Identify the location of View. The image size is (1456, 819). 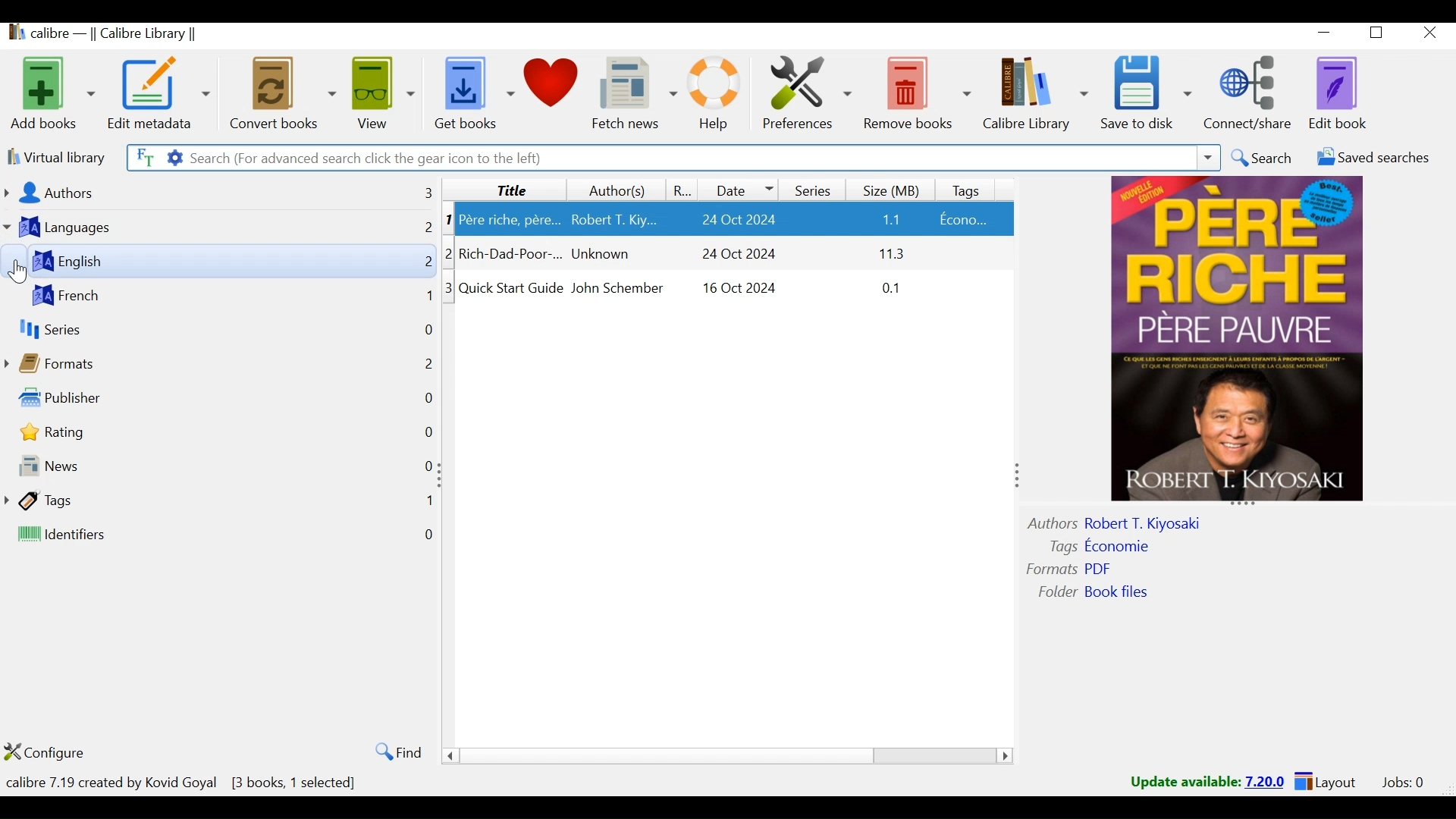
(384, 93).